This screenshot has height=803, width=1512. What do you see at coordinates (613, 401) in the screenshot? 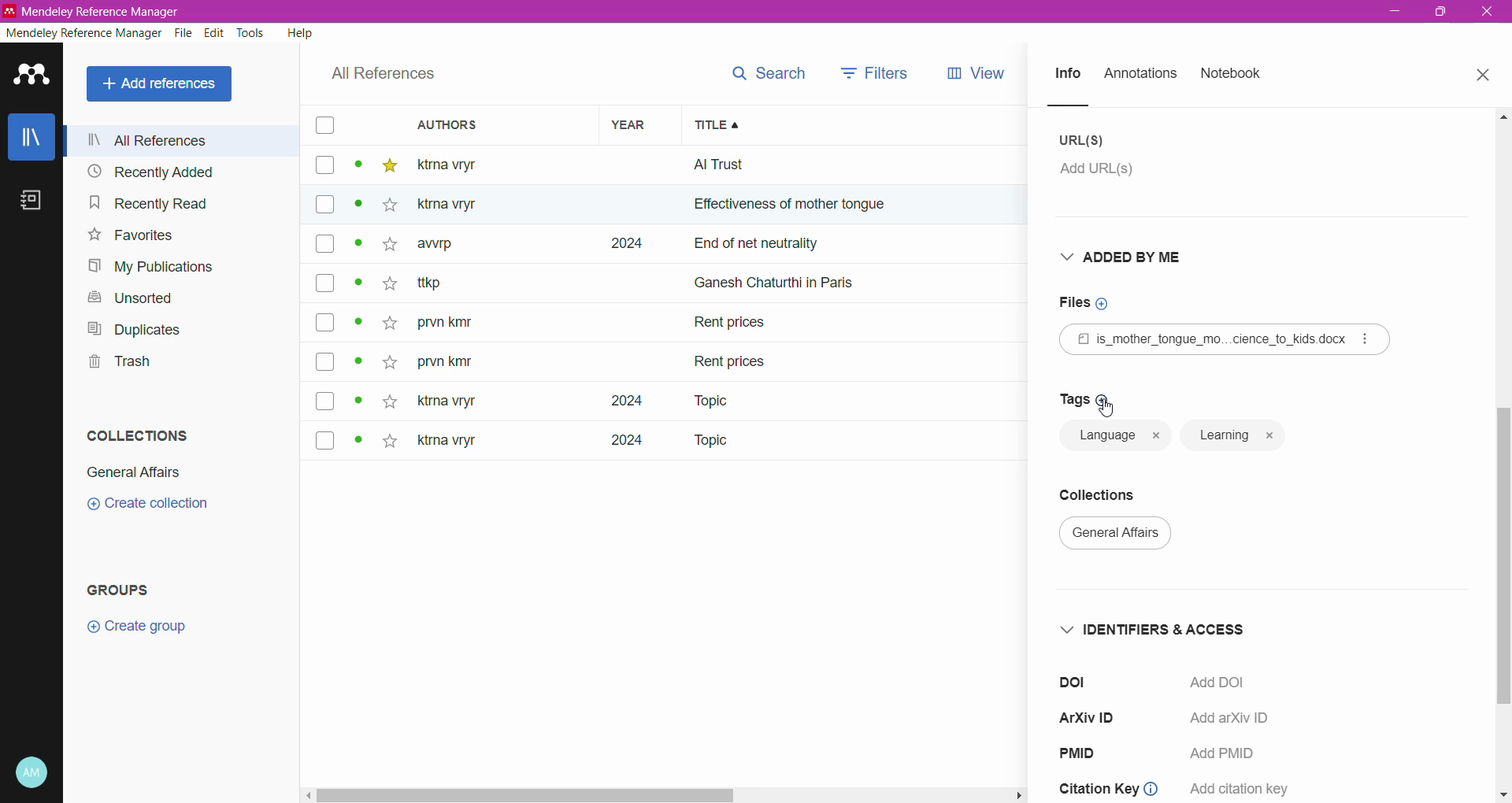
I see `2024` at bounding box center [613, 401].